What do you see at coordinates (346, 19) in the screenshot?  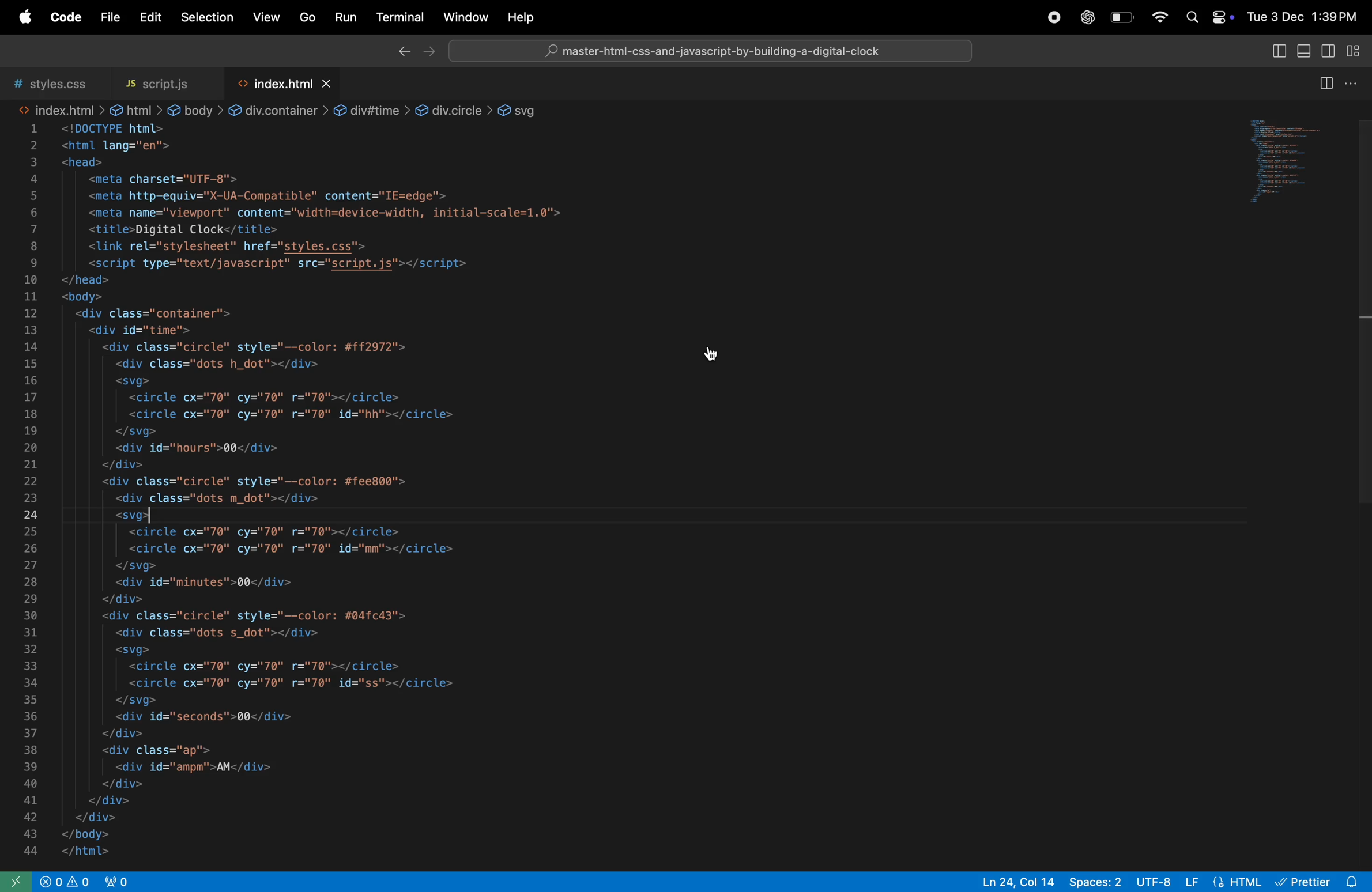 I see `run` at bounding box center [346, 19].